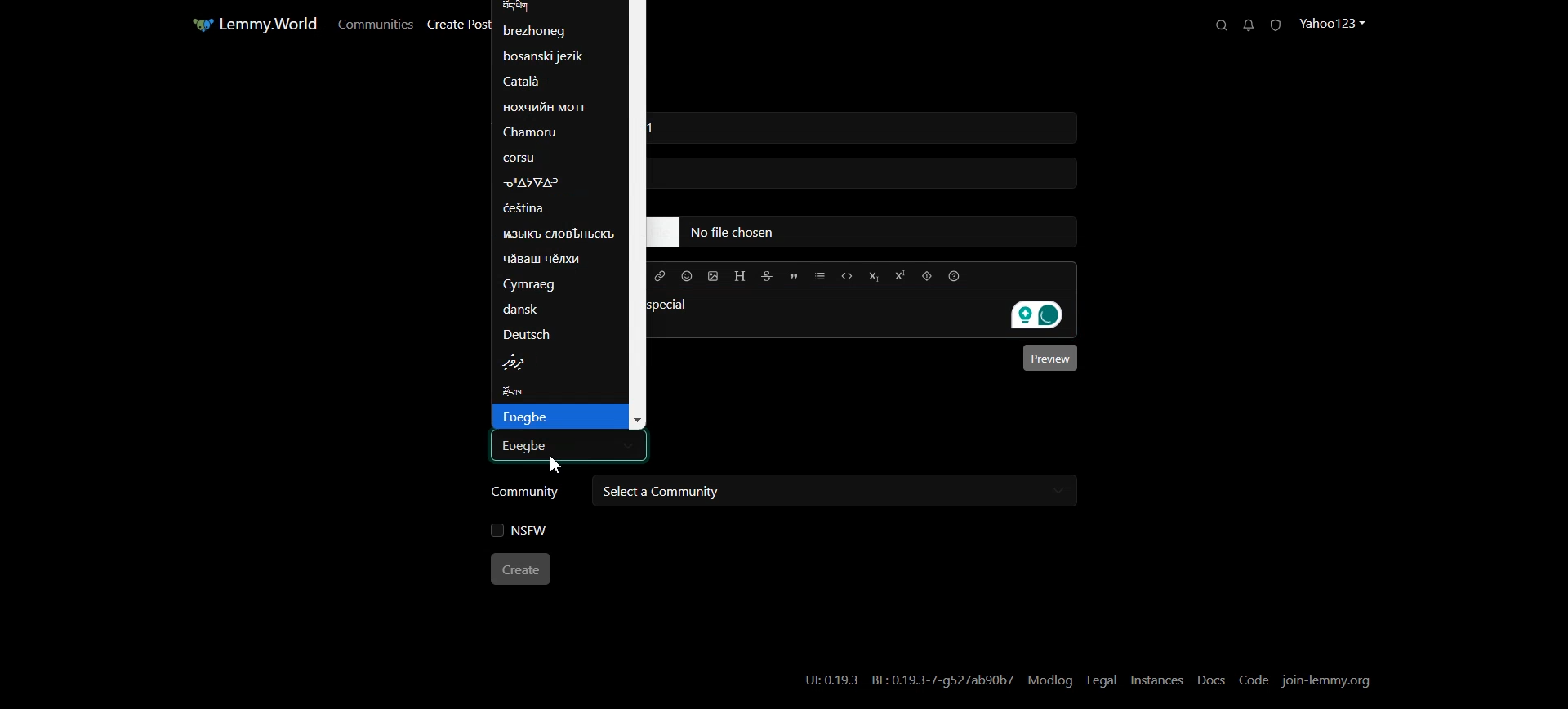 The height and width of the screenshot is (709, 1568). What do you see at coordinates (1051, 359) in the screenshot?
I see `Preview` at bounding box center [1051, 359].